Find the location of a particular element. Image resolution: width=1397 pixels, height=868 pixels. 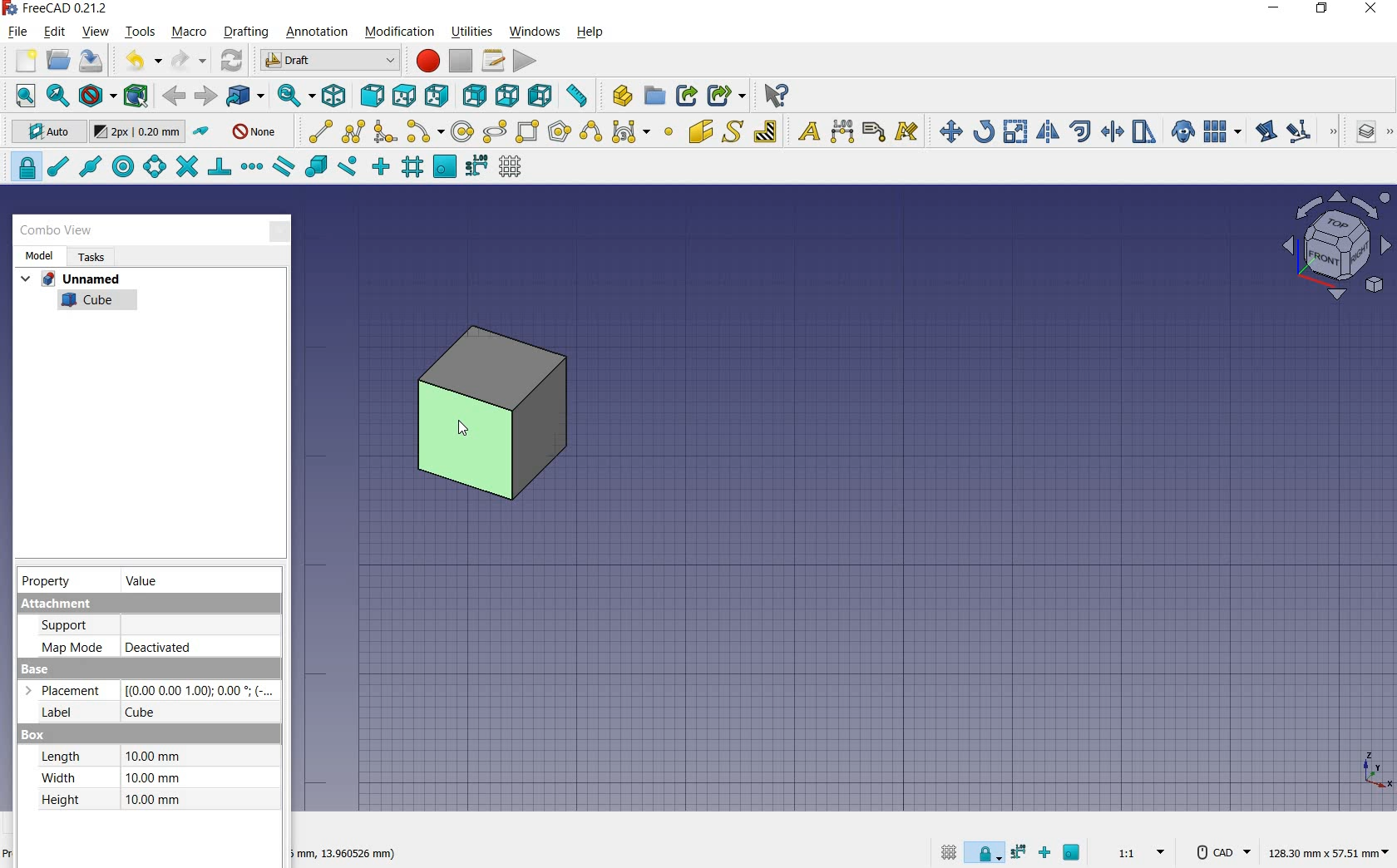

bounding box is located at coordinates (136, 96).